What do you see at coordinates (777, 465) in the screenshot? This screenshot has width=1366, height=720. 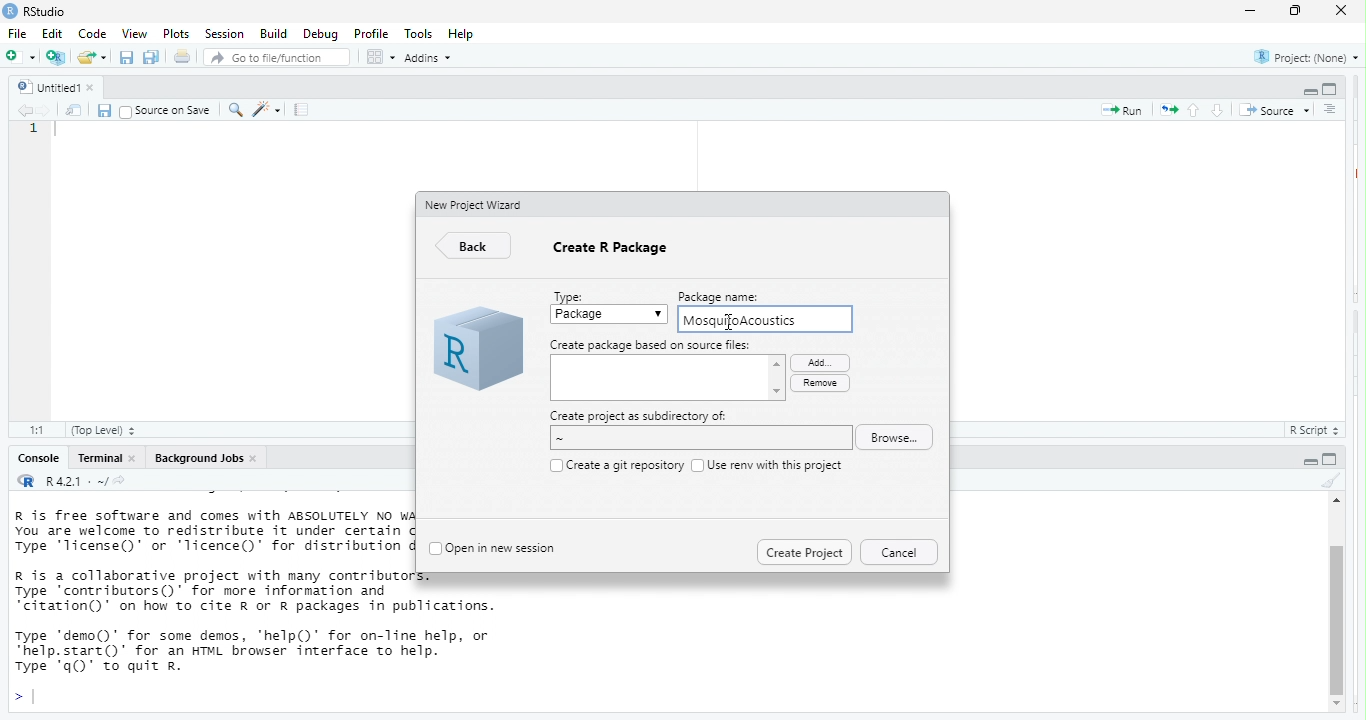 I see `Use renv with this project` at bounding box center [777, 465].